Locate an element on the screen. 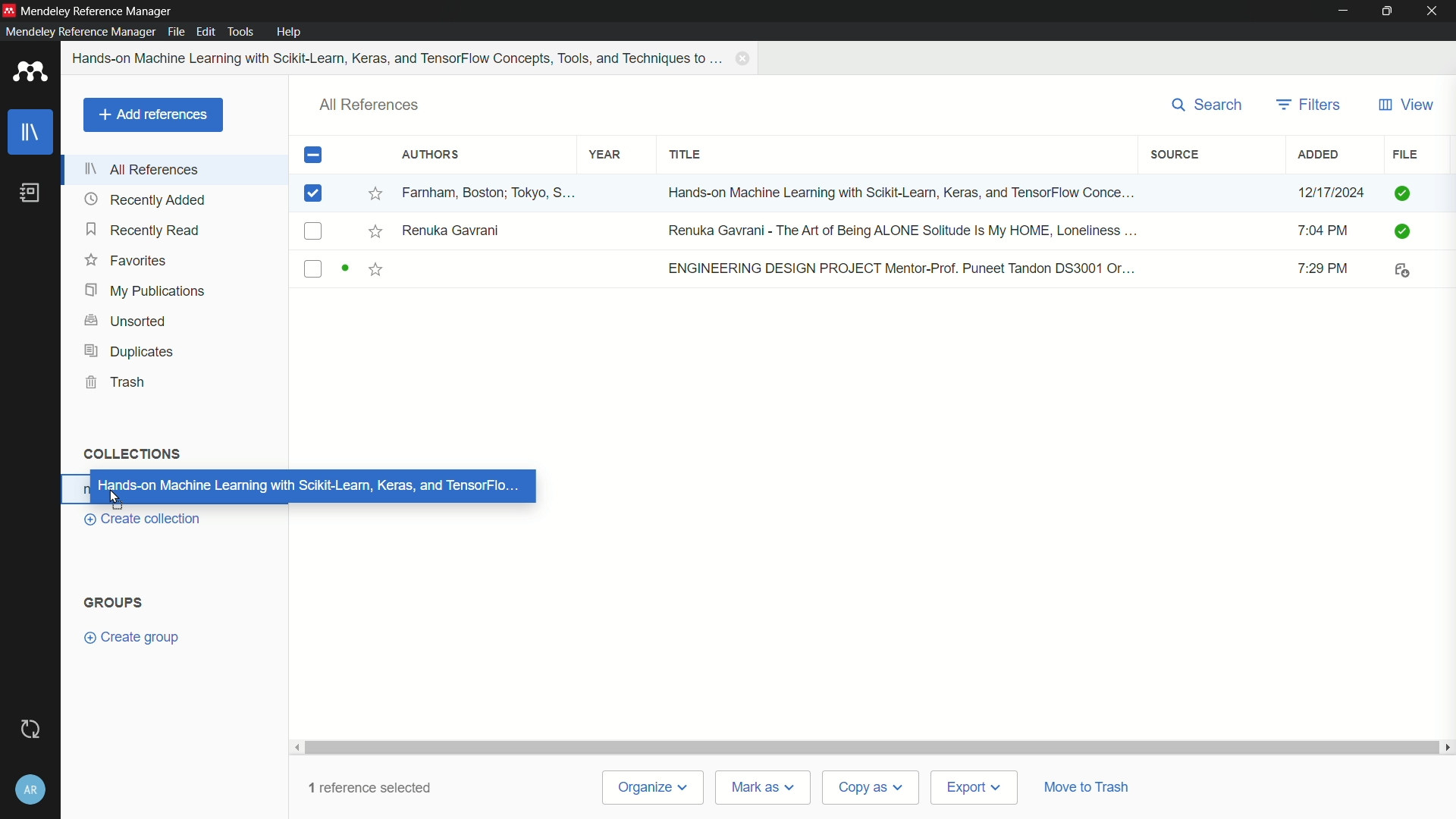 Image resolution: width=1456 pixels, height=819 pixels. book-3 is located at coordinates (865, 270).